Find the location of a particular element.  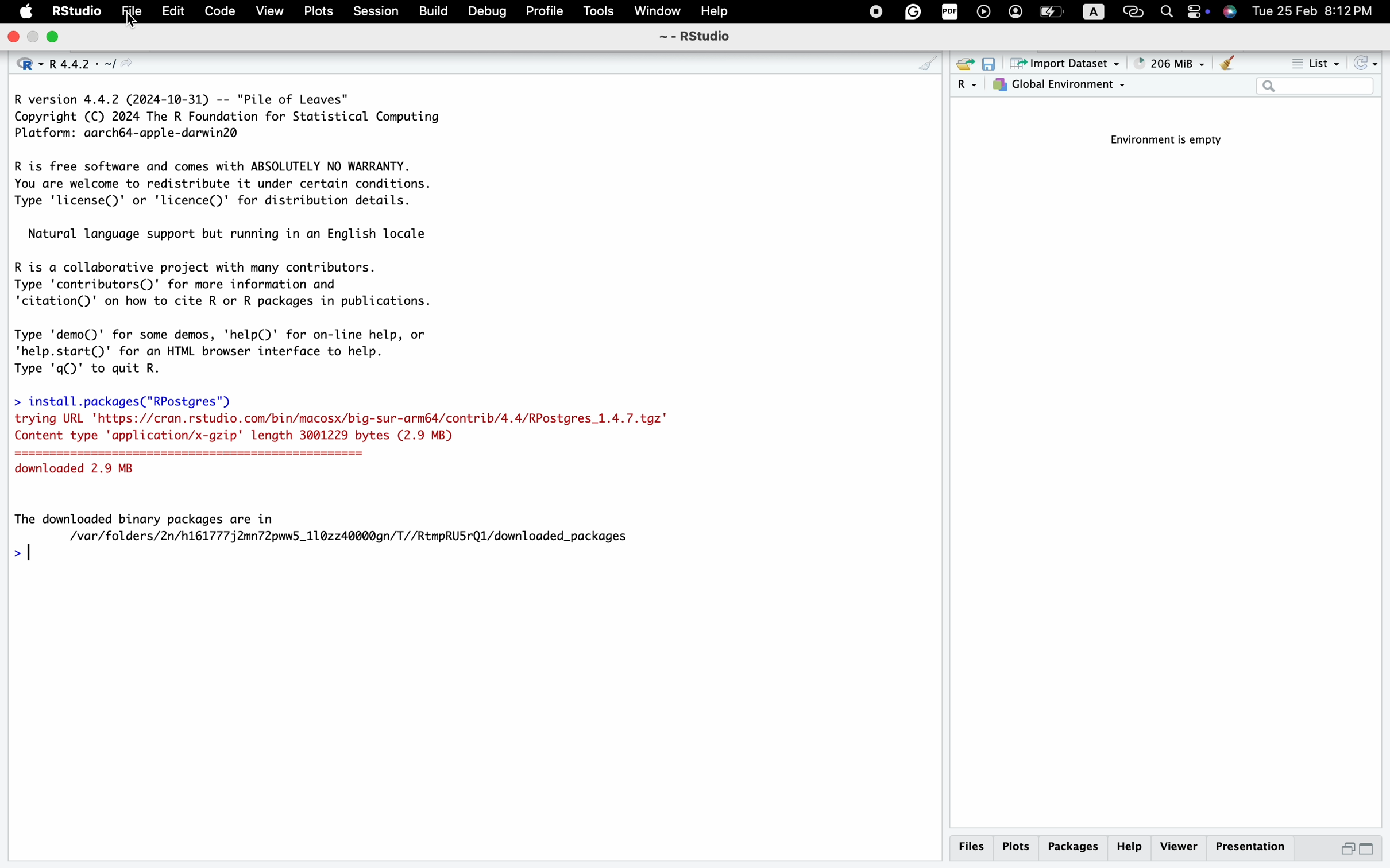

close is located at coordinates (14, 37).